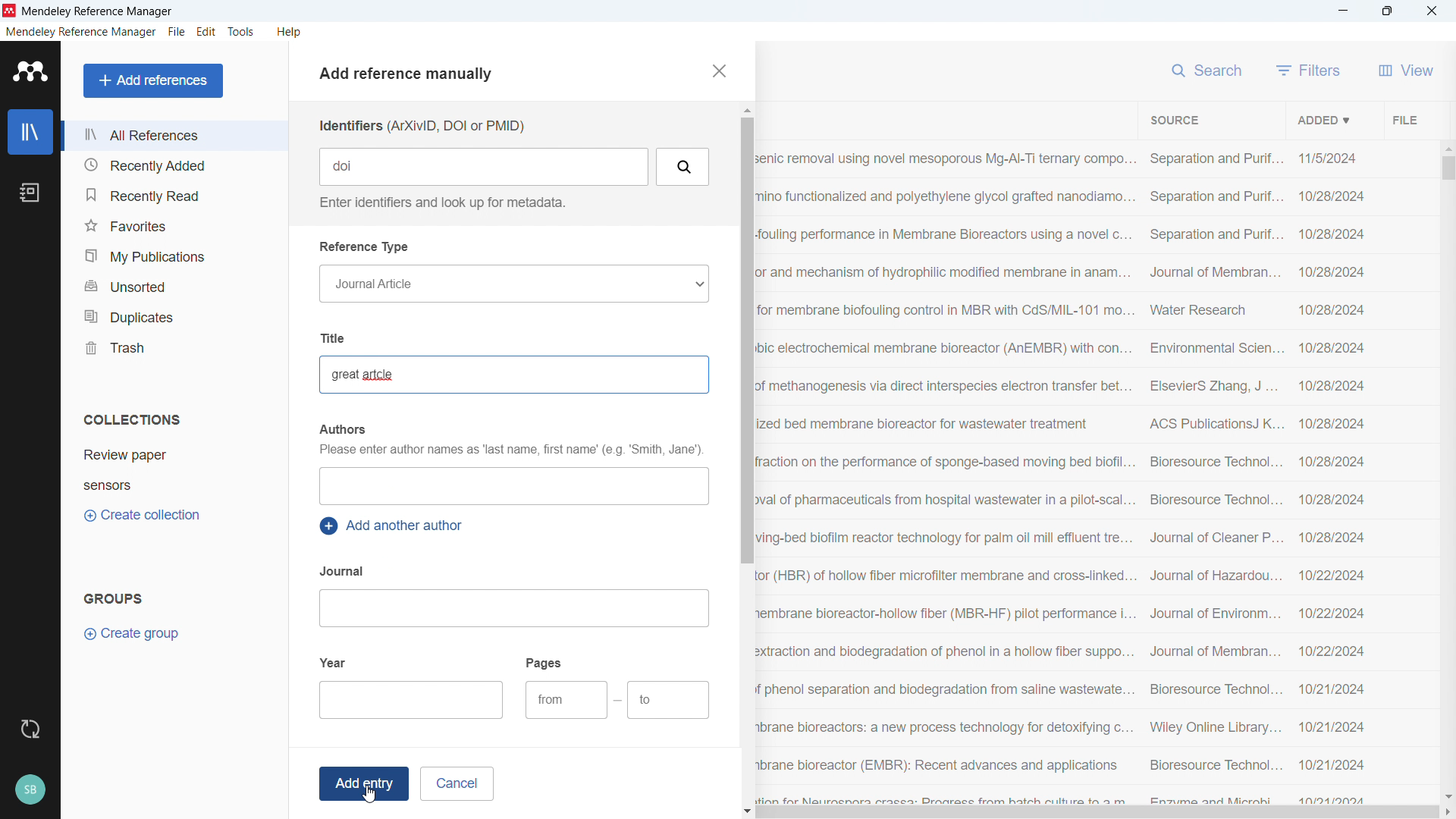 This screenshot has height=819, width=1456. Describe the element at coordinates (440, 202) in the screenshot. I see `Enter identifiers and look up for metadata` at that location.